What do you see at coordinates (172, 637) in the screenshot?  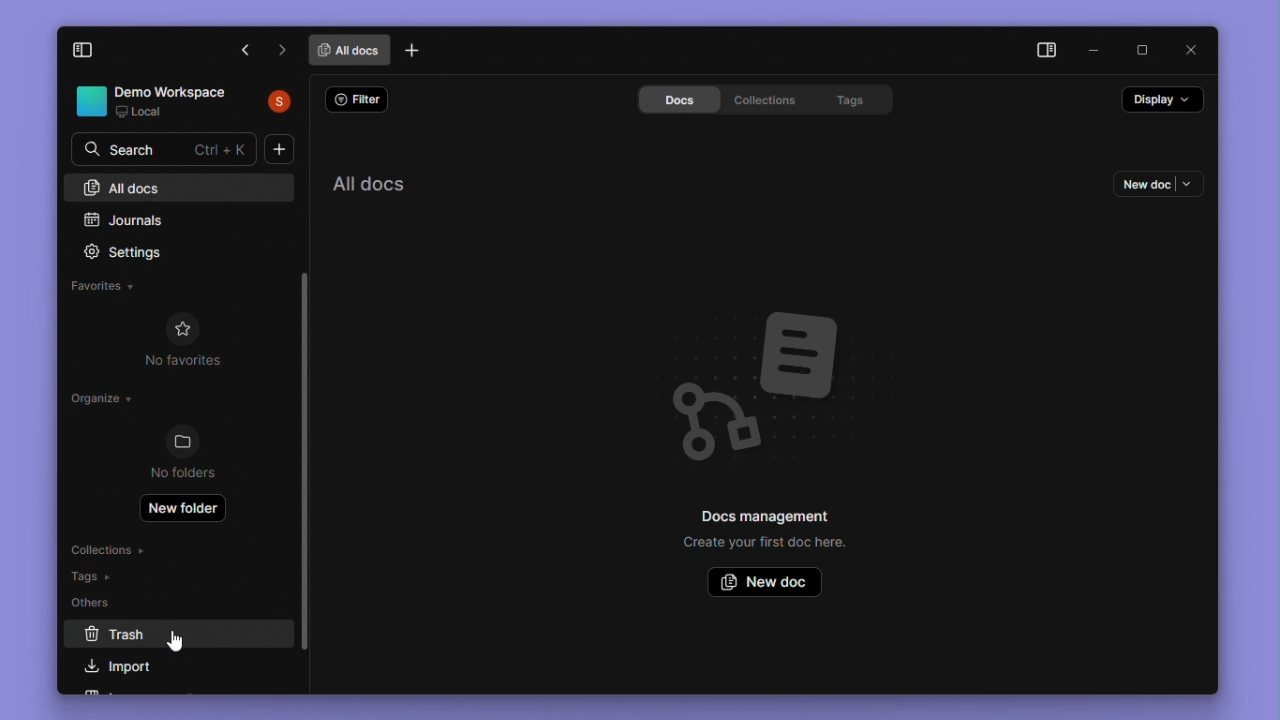 I see `trash` at bounding box center [172, 637].